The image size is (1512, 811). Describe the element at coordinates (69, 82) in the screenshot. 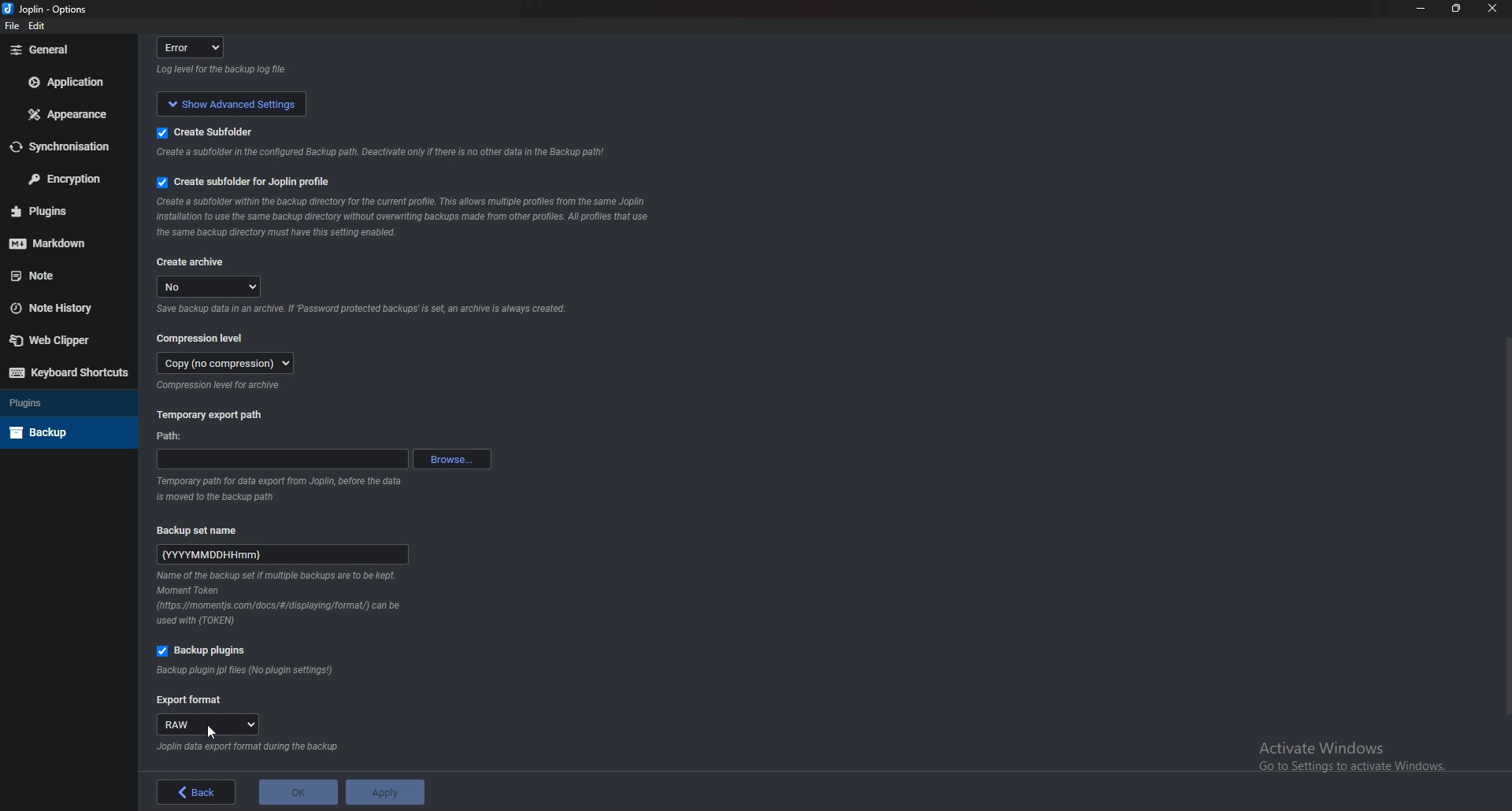

I see `Application` at that location.